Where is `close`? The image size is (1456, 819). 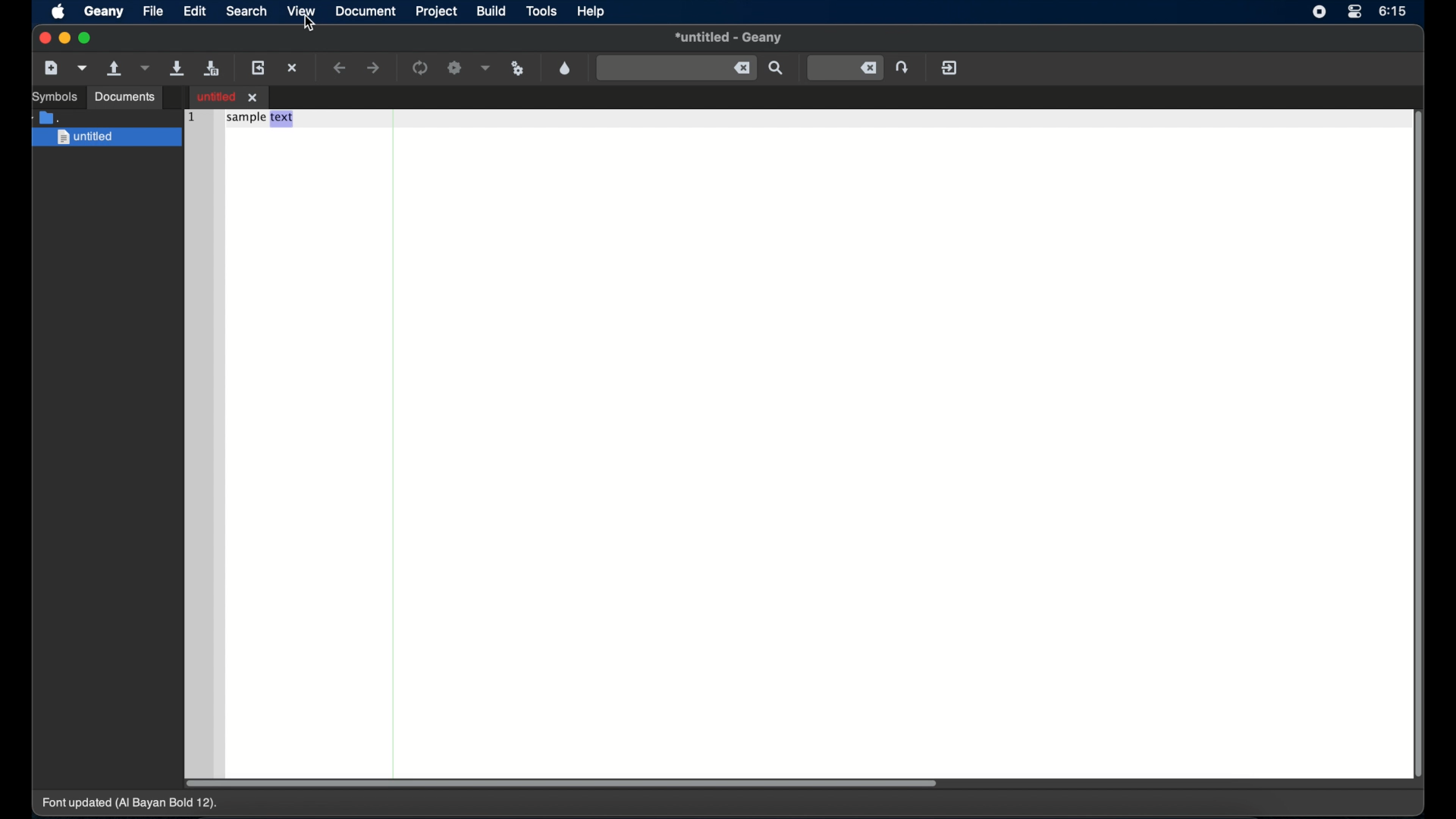 close is located at coordinates (43, 38).